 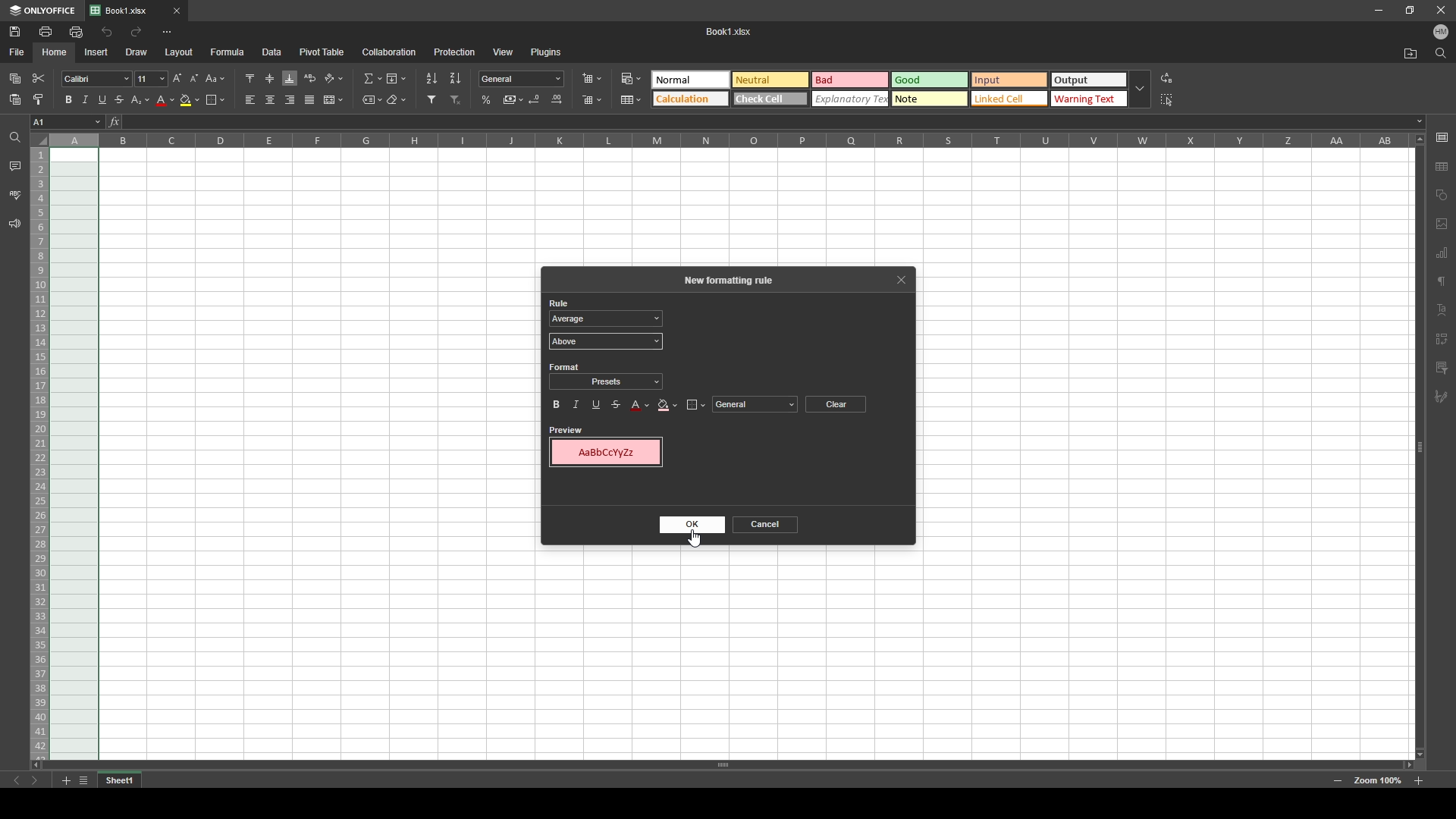 What do you see at coordinates (290, 78) in the screenshot?
I see `align bottom` at bounding box center [290, 78].